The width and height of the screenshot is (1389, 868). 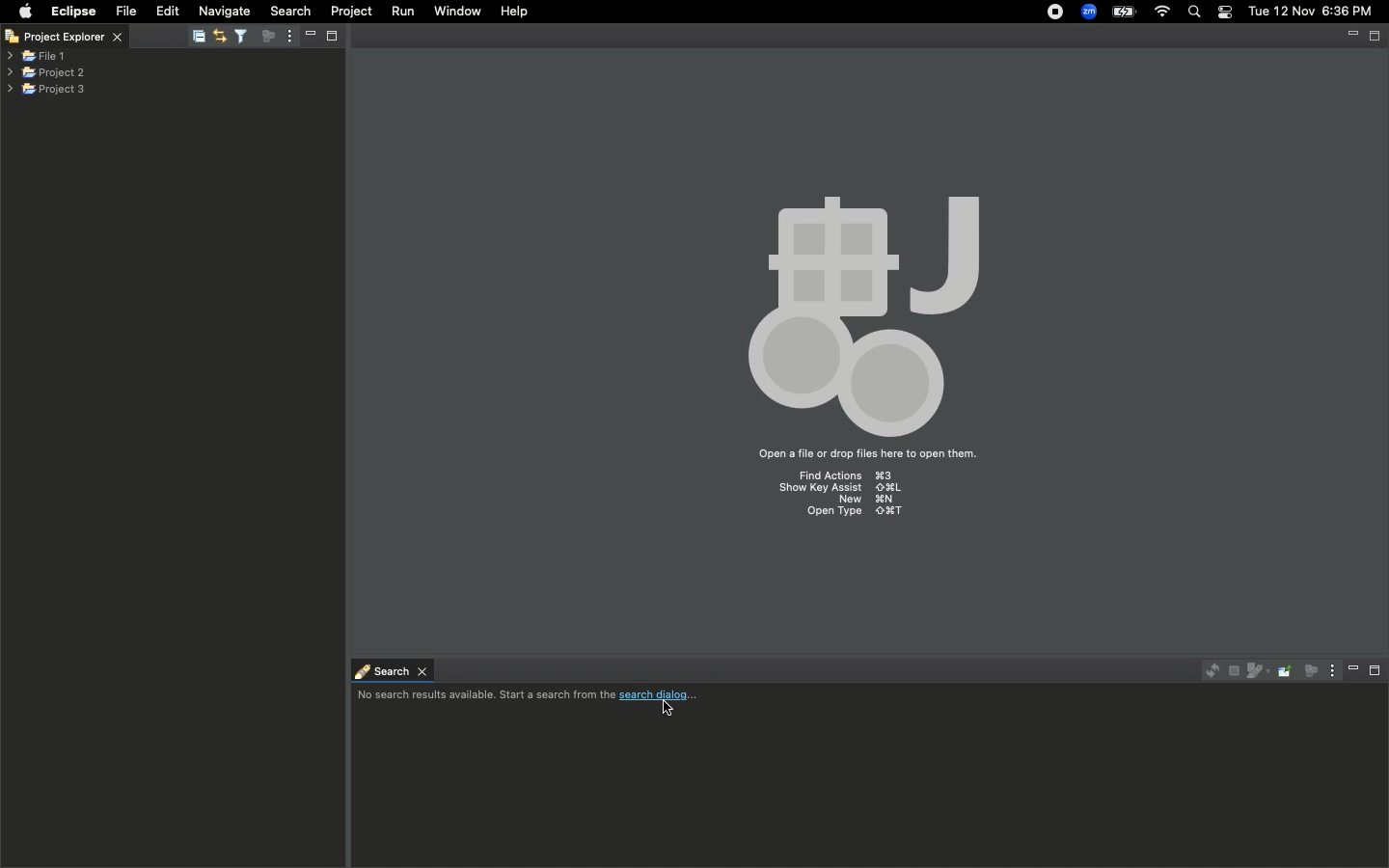 I want to click on Select and deselect filters , so click(x=245, y=34).